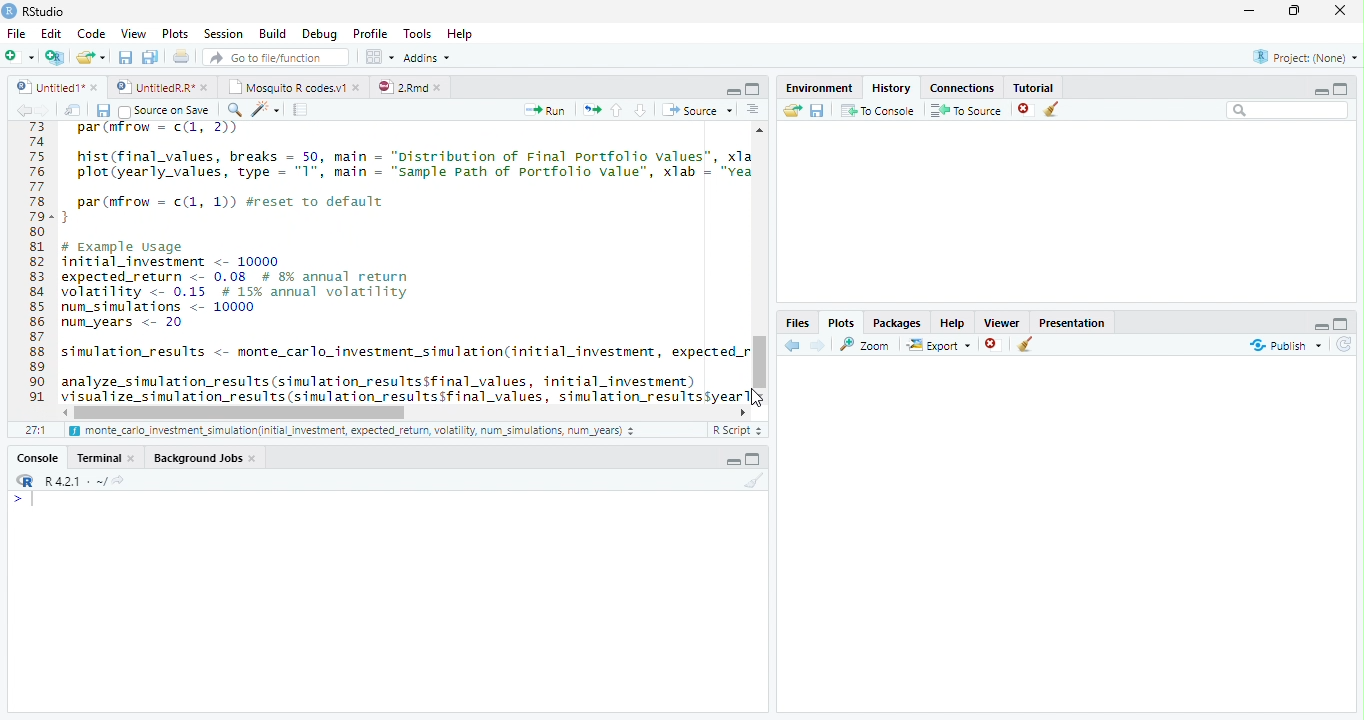 The width and height of the screenshot is (1364, 720). What do you see at coordinates (64, 412) in the screenshot?
I see `Scroll Left` at bounding box center [64, 412].